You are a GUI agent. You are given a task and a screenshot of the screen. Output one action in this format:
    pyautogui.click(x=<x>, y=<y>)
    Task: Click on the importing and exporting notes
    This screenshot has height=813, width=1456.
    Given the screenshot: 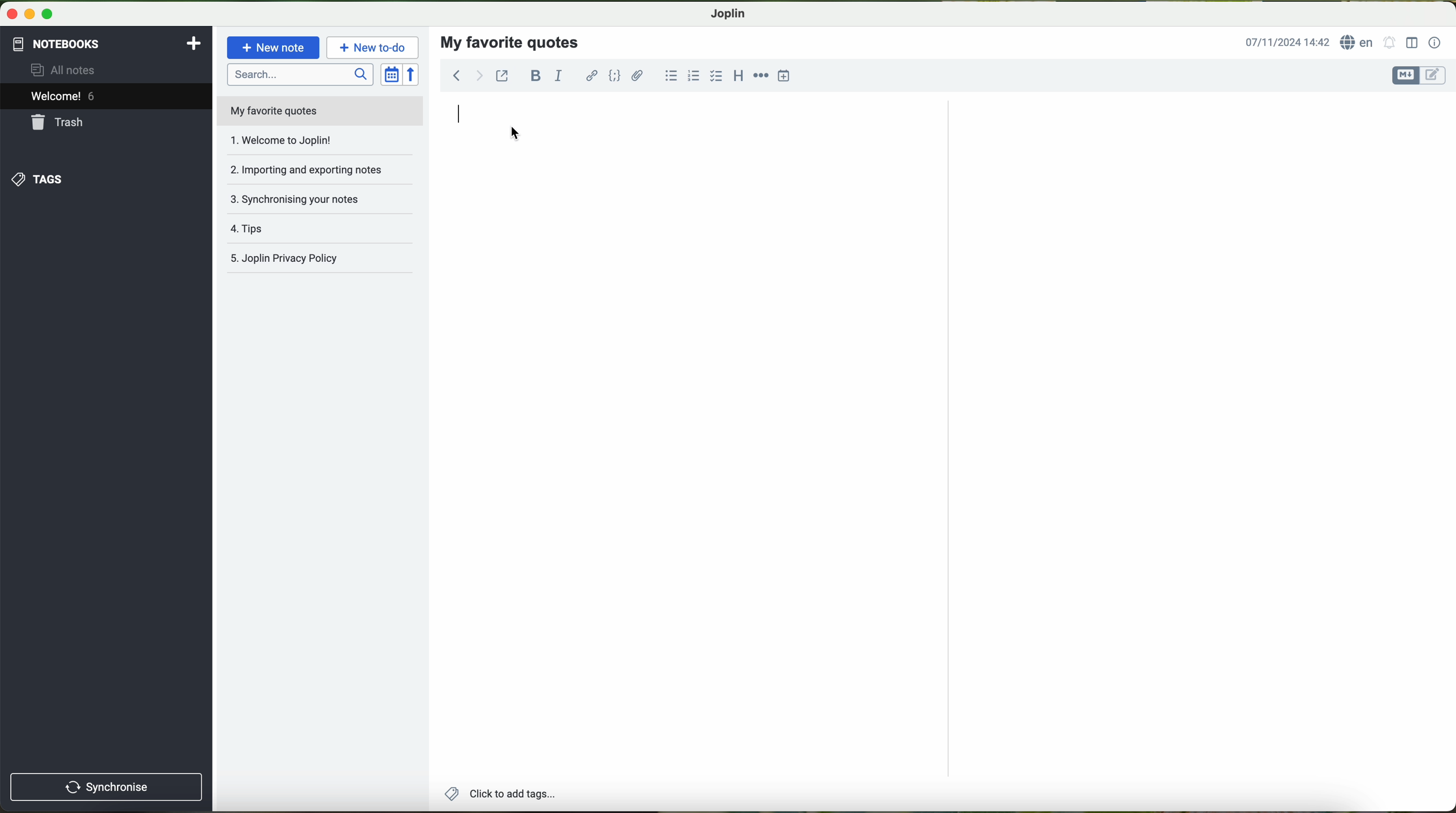 What is the action you would take?
    pyautogui.click(x=318, y=168)
    